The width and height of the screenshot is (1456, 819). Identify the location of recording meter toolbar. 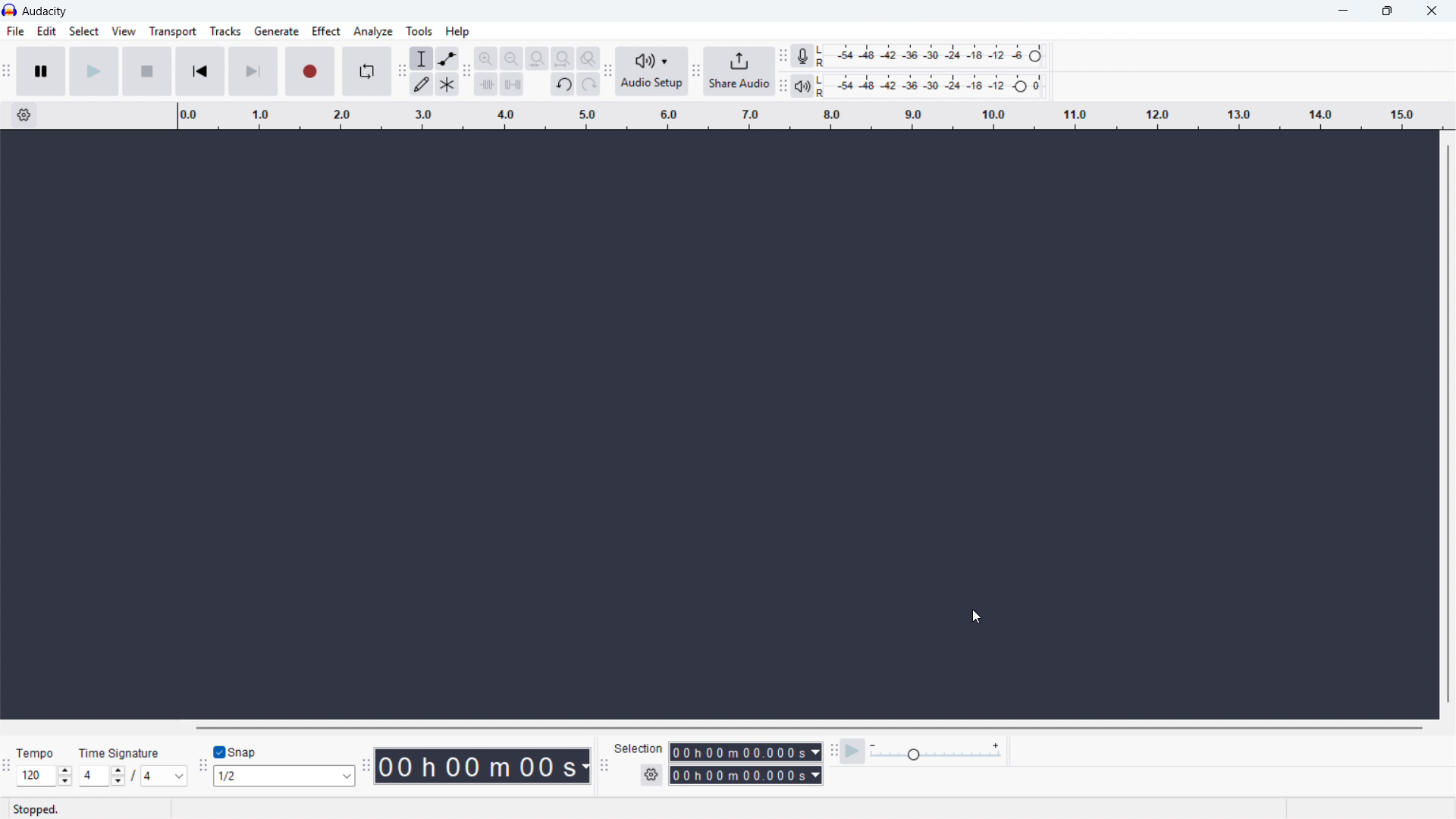
(783, 55).